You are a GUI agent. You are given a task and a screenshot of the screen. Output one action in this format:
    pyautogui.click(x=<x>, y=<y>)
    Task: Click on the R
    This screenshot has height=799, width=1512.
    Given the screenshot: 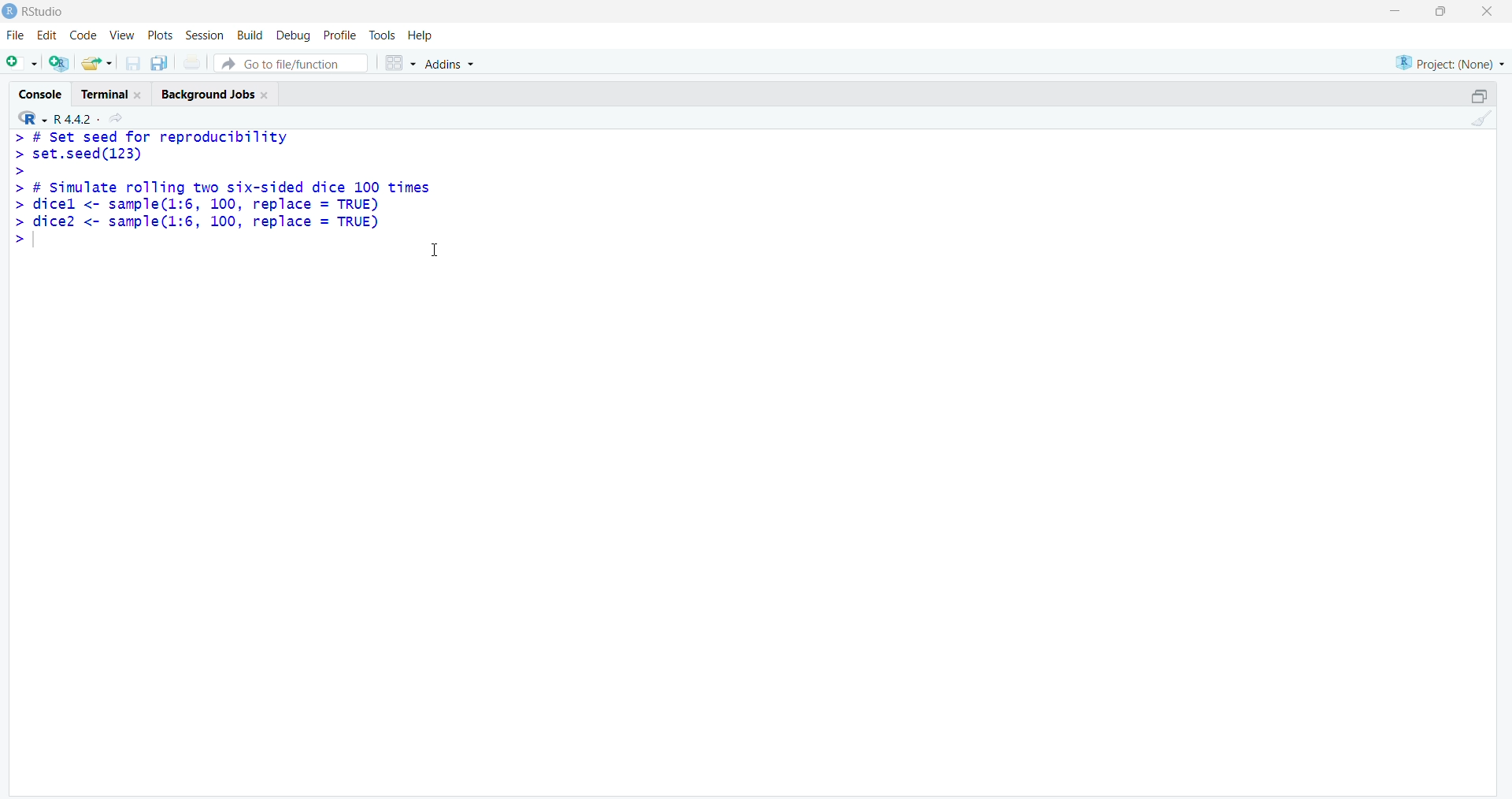 What is the action you would take?
    pyautogui.click(x=31, y=117)
    